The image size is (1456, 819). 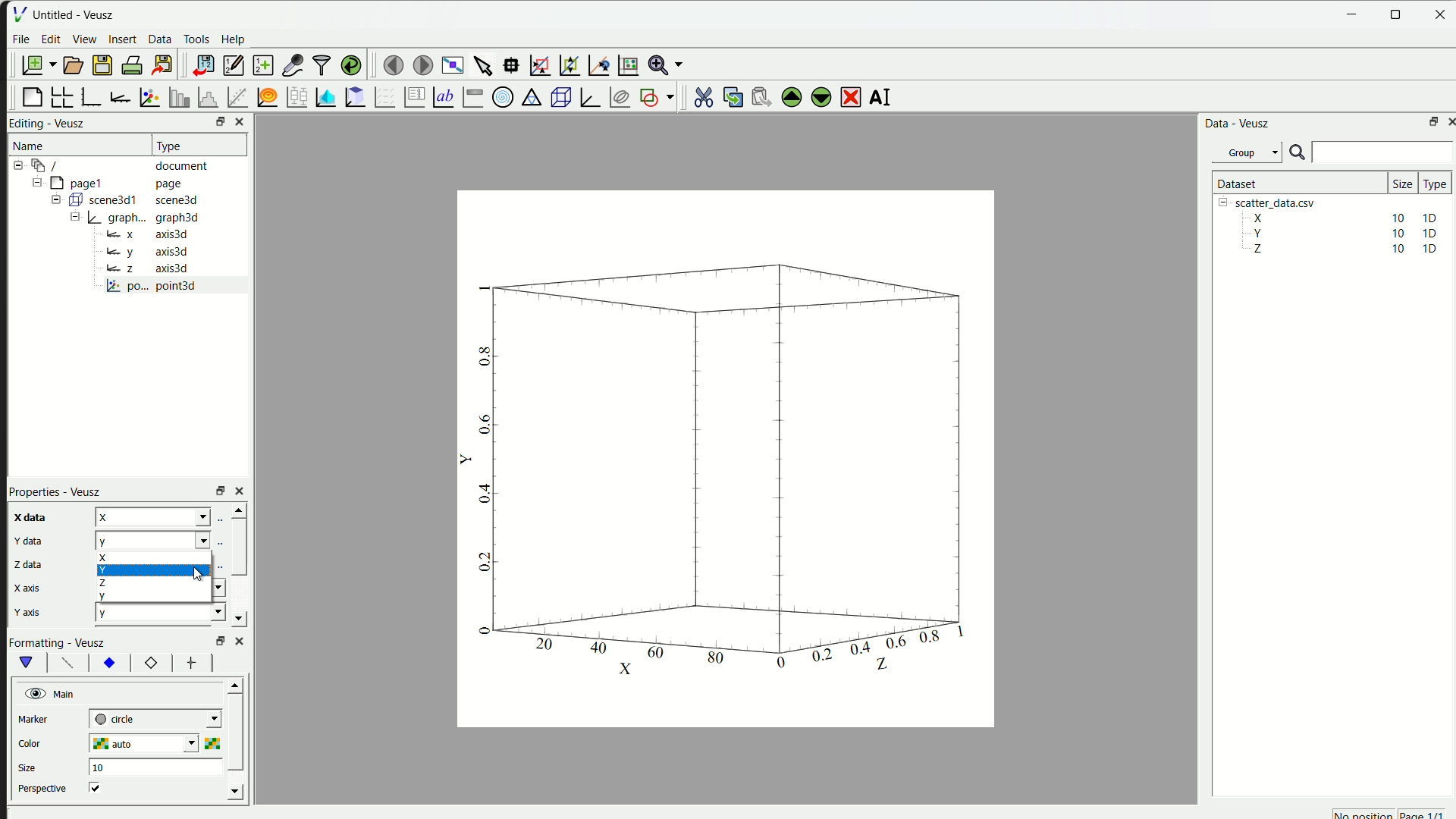 What do you see at coordinates (420, 64) in the screenshot?
I see `move to the next page` at bounding box center [420, 64].